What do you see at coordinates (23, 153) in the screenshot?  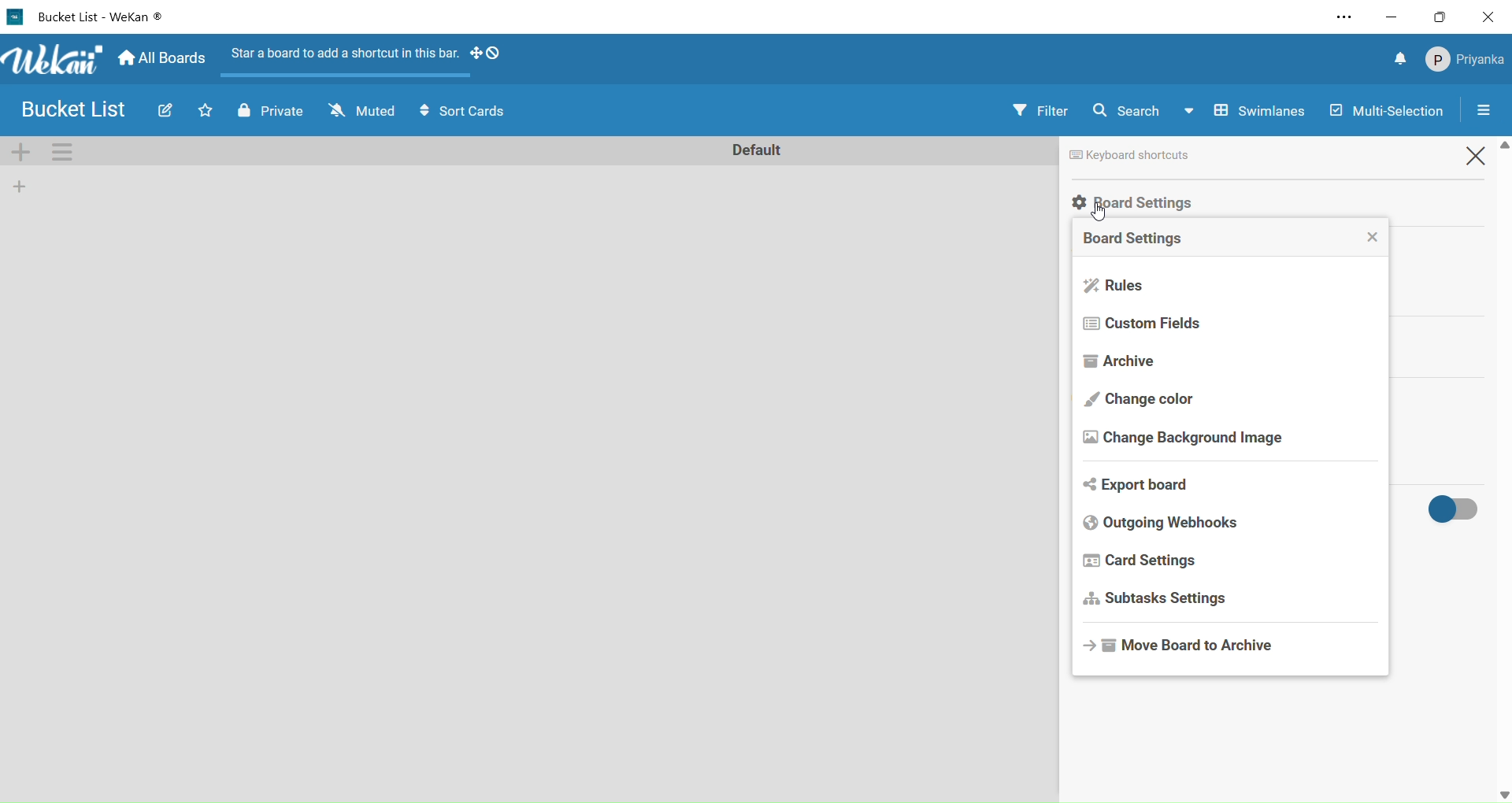 I see `add swimlane` at bounding box center [23, 153].